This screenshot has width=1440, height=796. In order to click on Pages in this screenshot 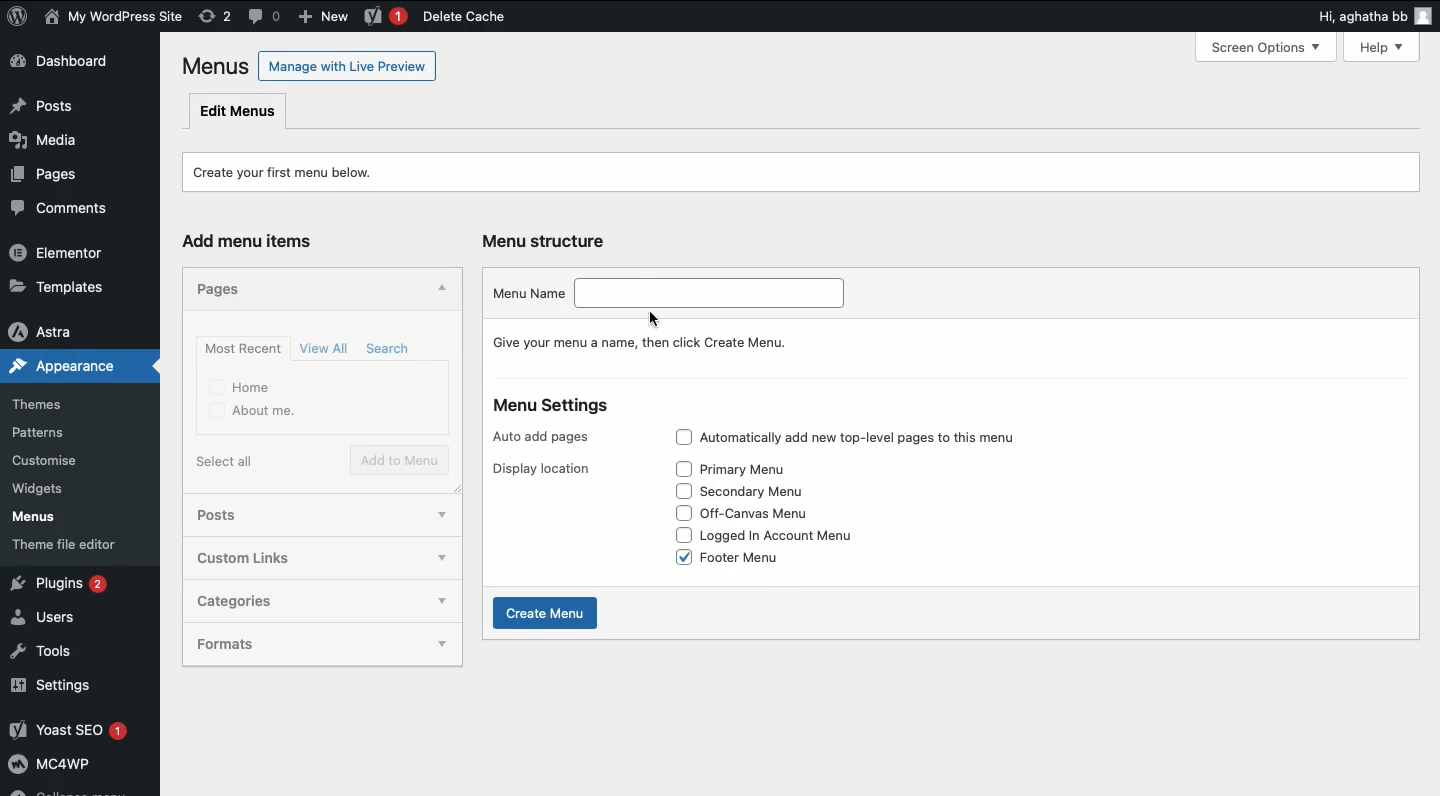, I will do `click(43, 179)`.